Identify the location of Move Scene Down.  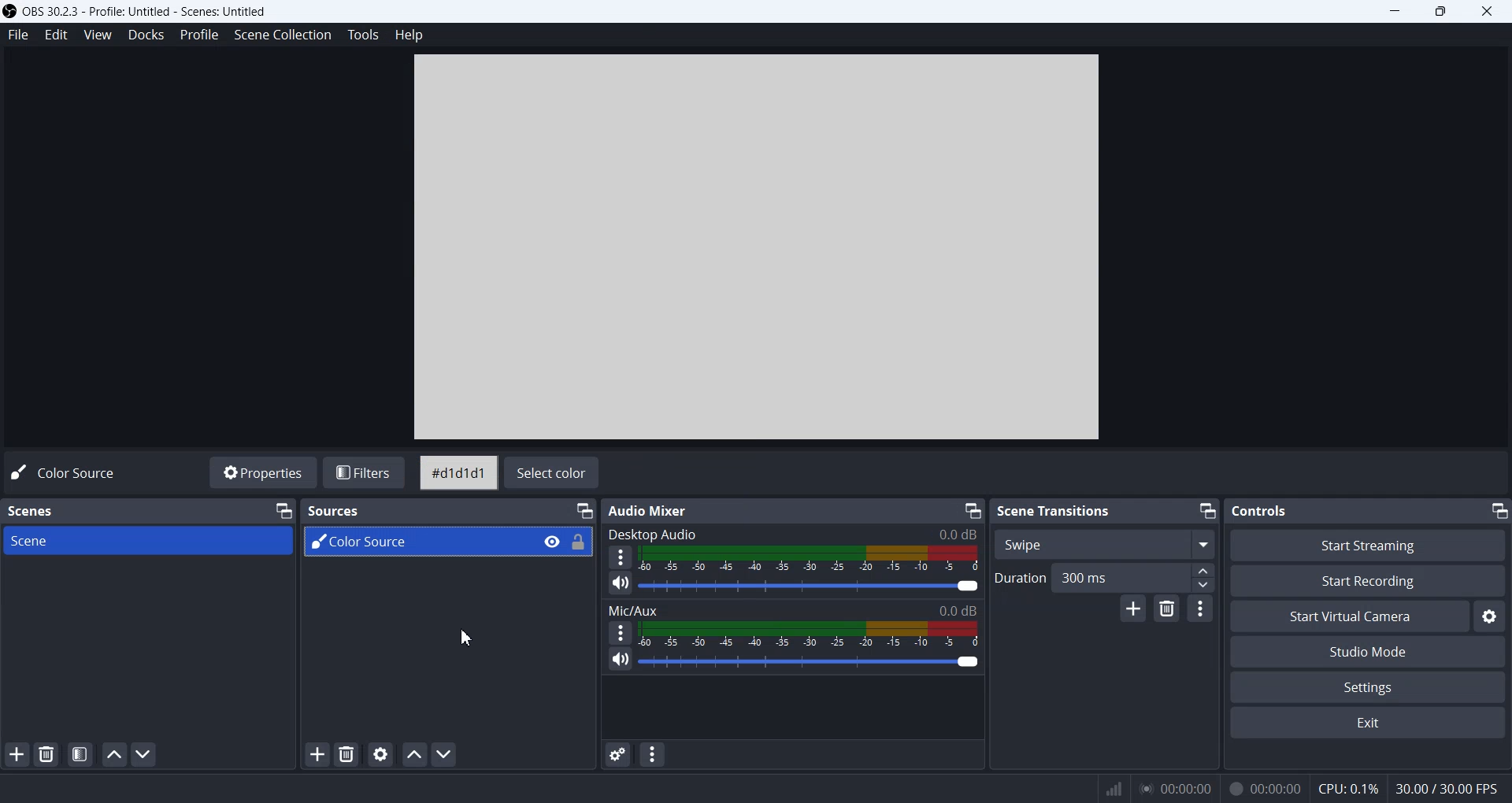
(146, 753).